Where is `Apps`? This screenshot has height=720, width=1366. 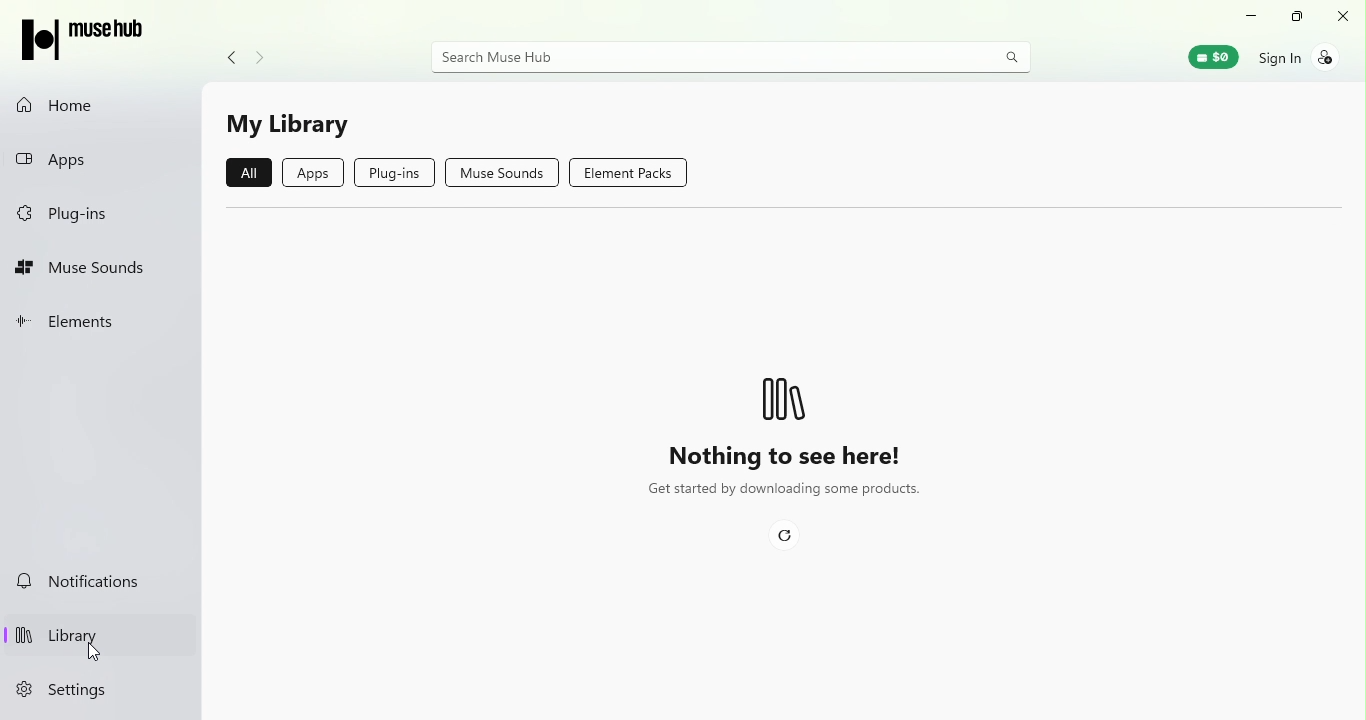
Apps is located at coordinates (314, 177).